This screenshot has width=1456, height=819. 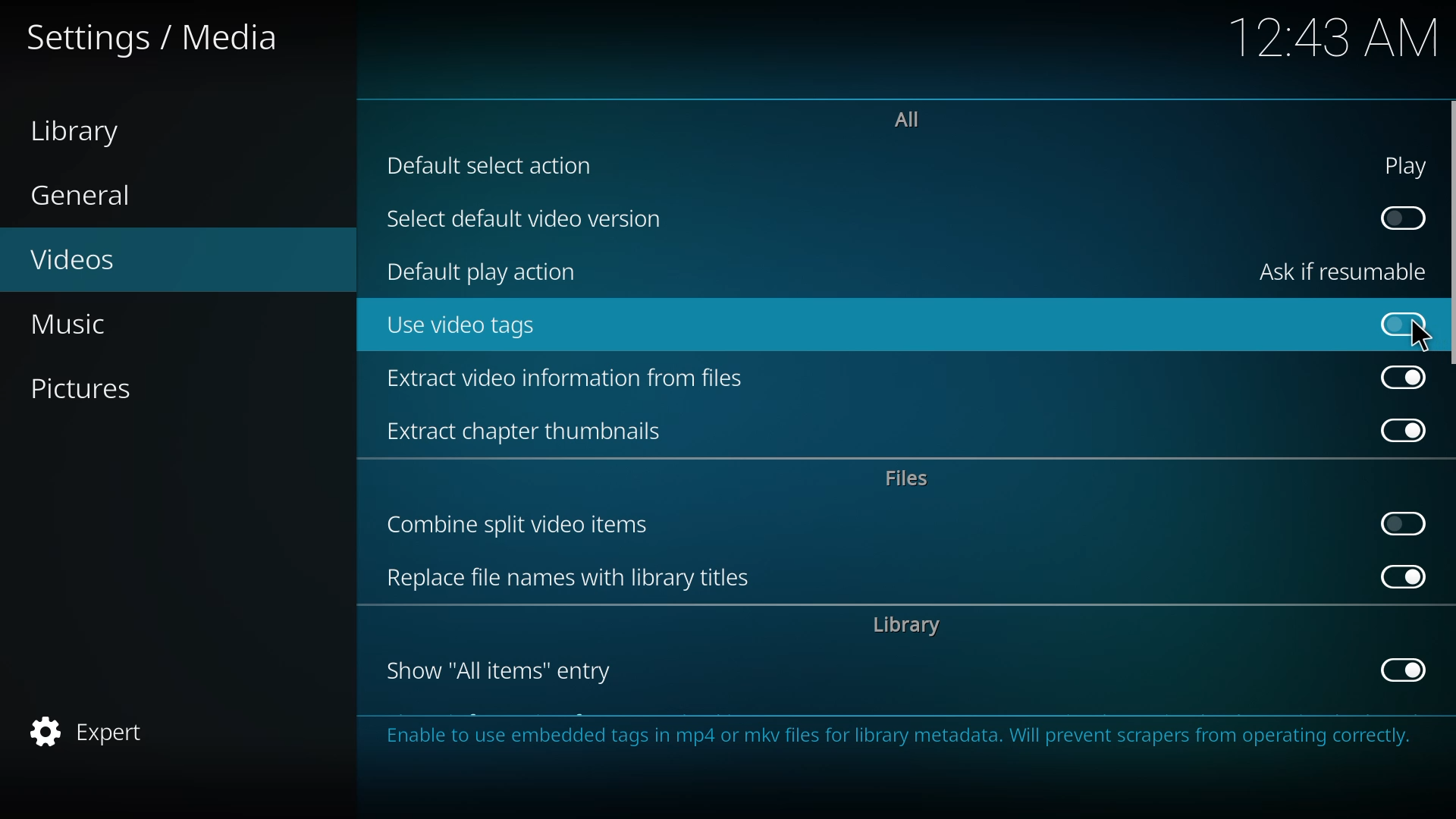 What do you see at coordinates (535, 220) in the screenshot?
I see `select default video version` at bounding box center [535, 220].